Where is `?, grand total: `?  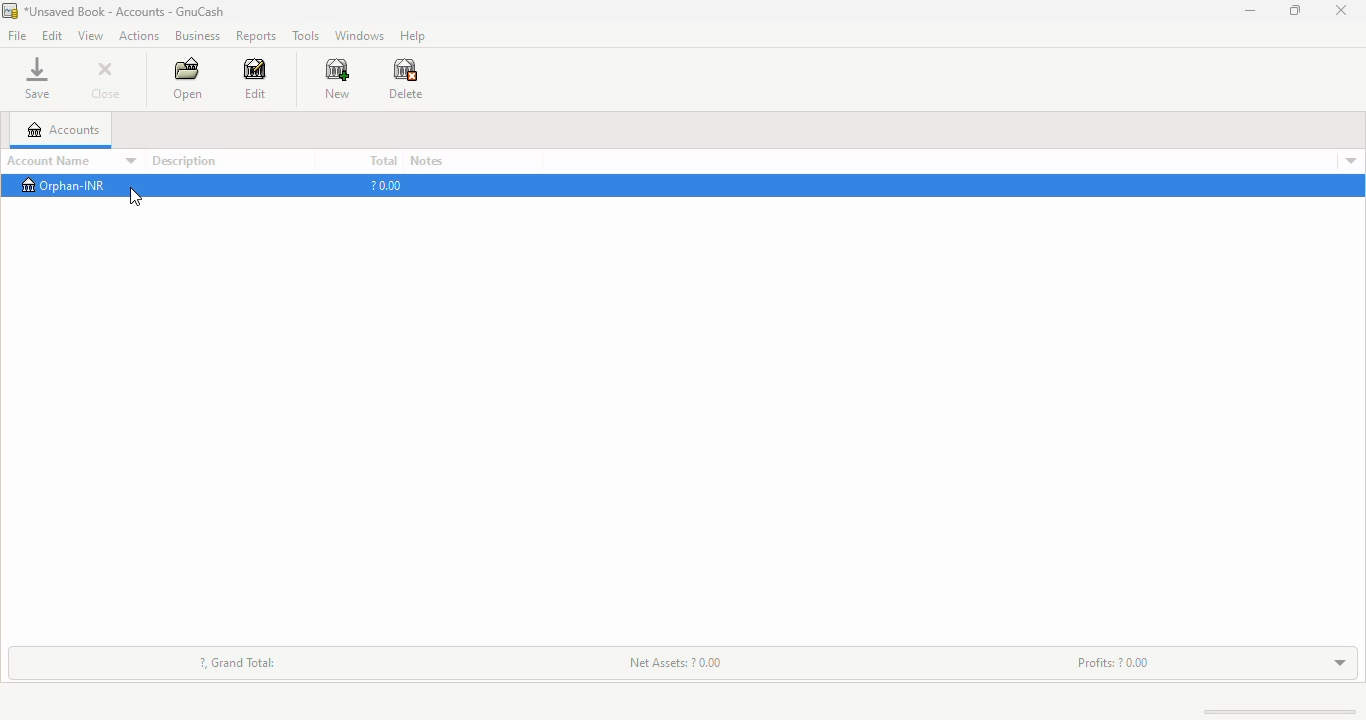
?, grand total:  is located at coordinates (238, 663).